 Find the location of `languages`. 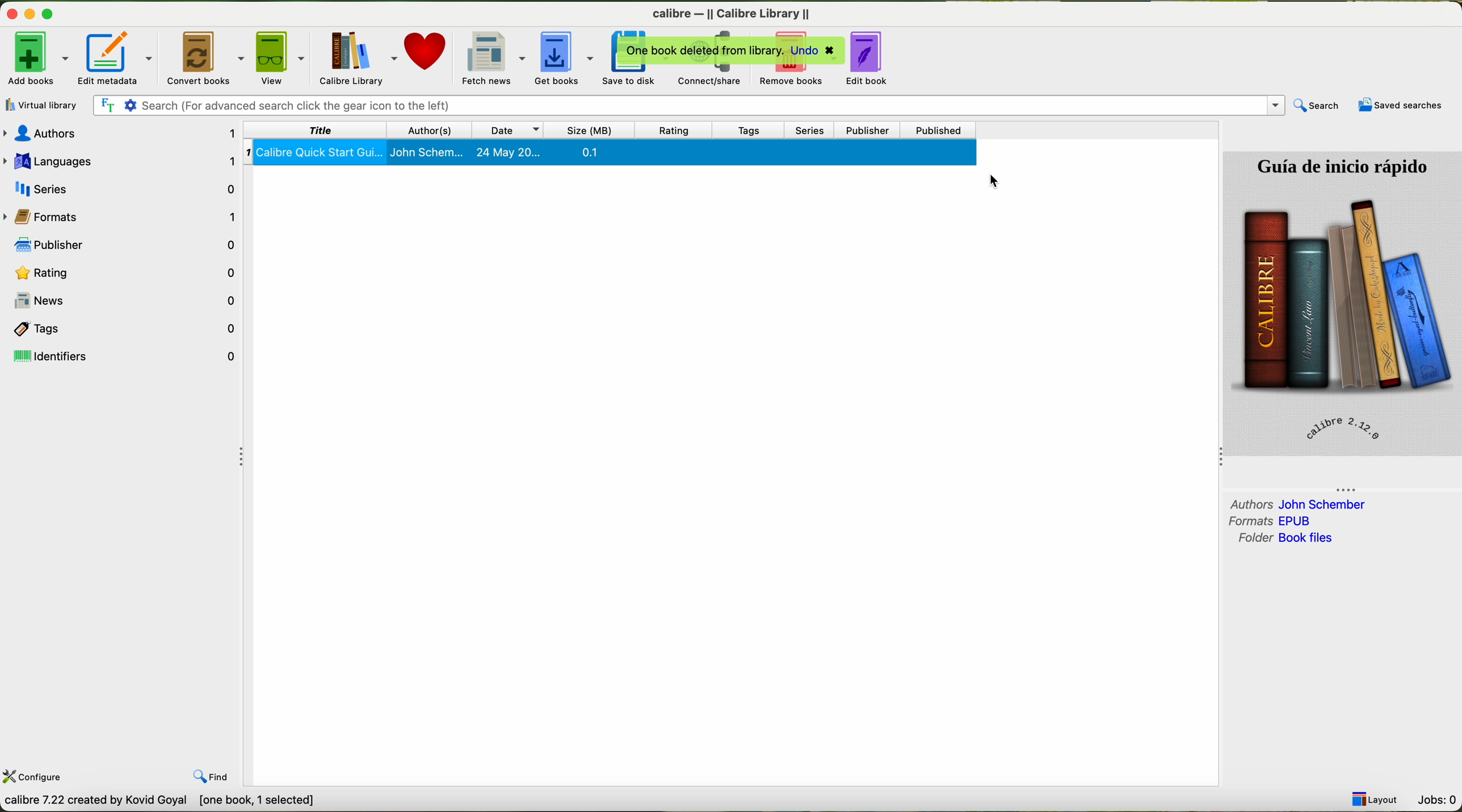

languages is located at coordinates (119, 161).